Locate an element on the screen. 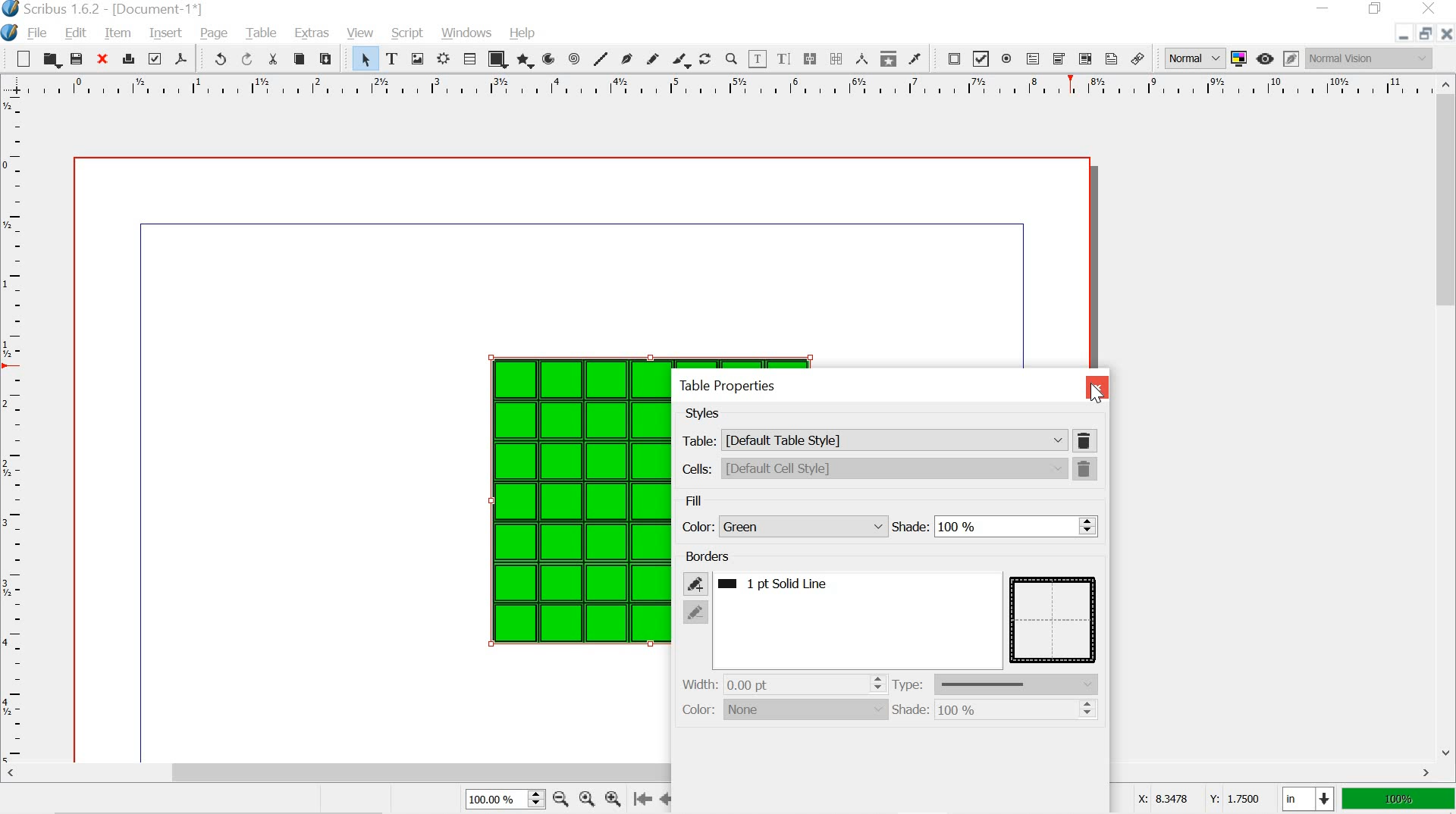 The image size is (1456, 814). pdf text field is located at coordinates (1032, 58).